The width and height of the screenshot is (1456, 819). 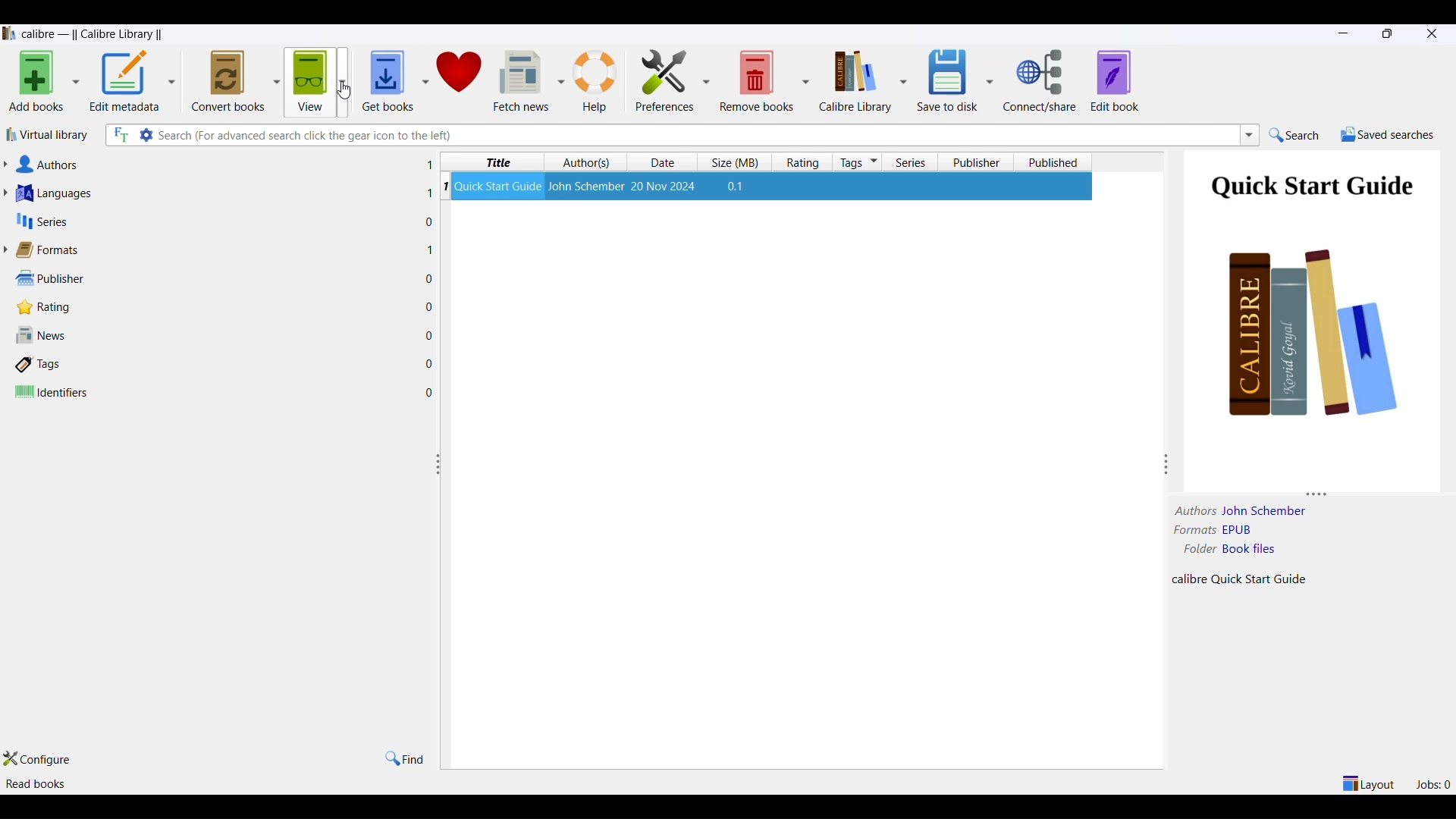 What do you see at coordinates (275, 79) in the screenshot?
I see `convert books options dropdown button` at bounding box center [275, 79].